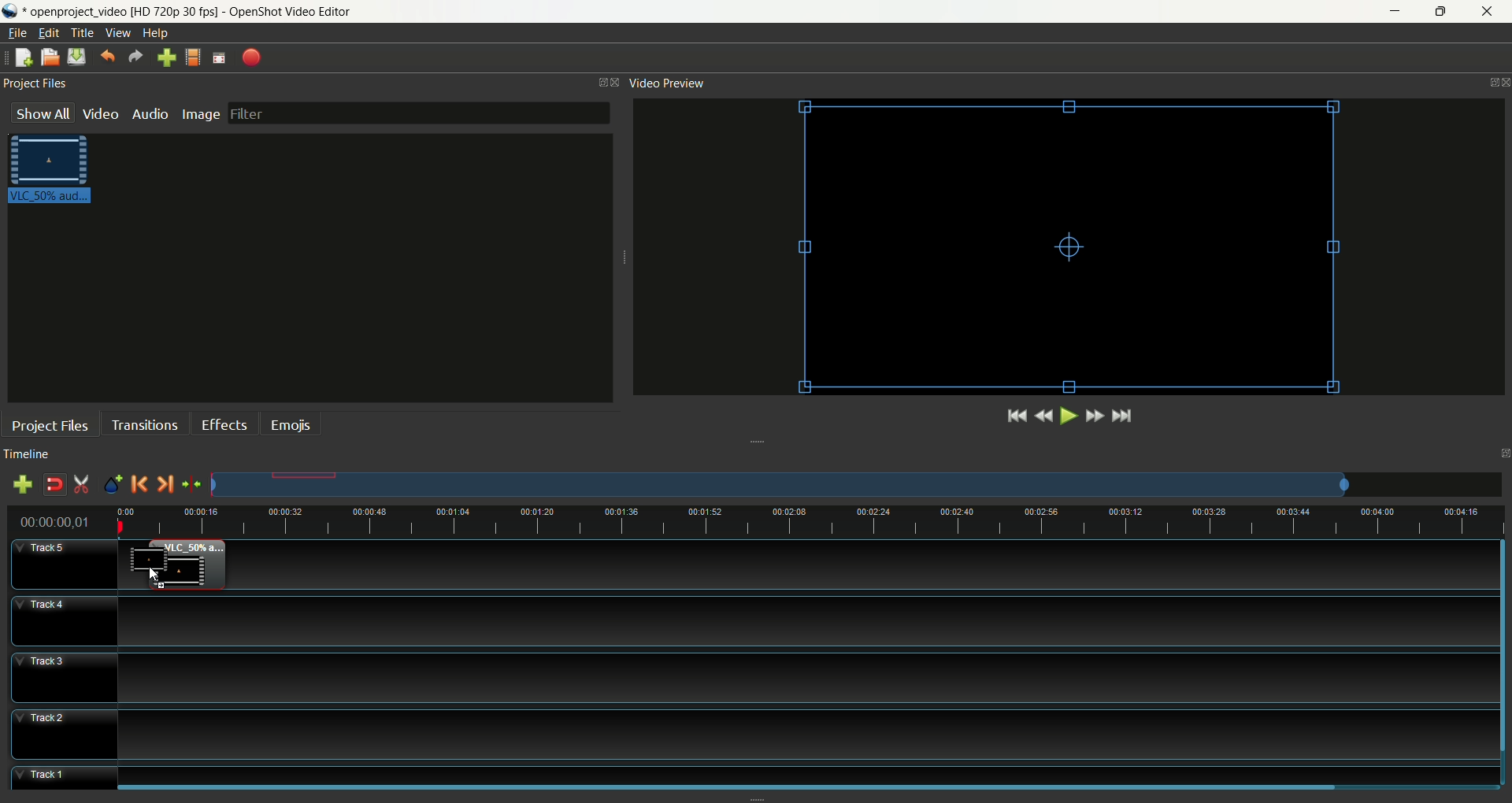  Describe the element at coordinates (1501, 451) in the screenshot. I see `maximize` at that location.